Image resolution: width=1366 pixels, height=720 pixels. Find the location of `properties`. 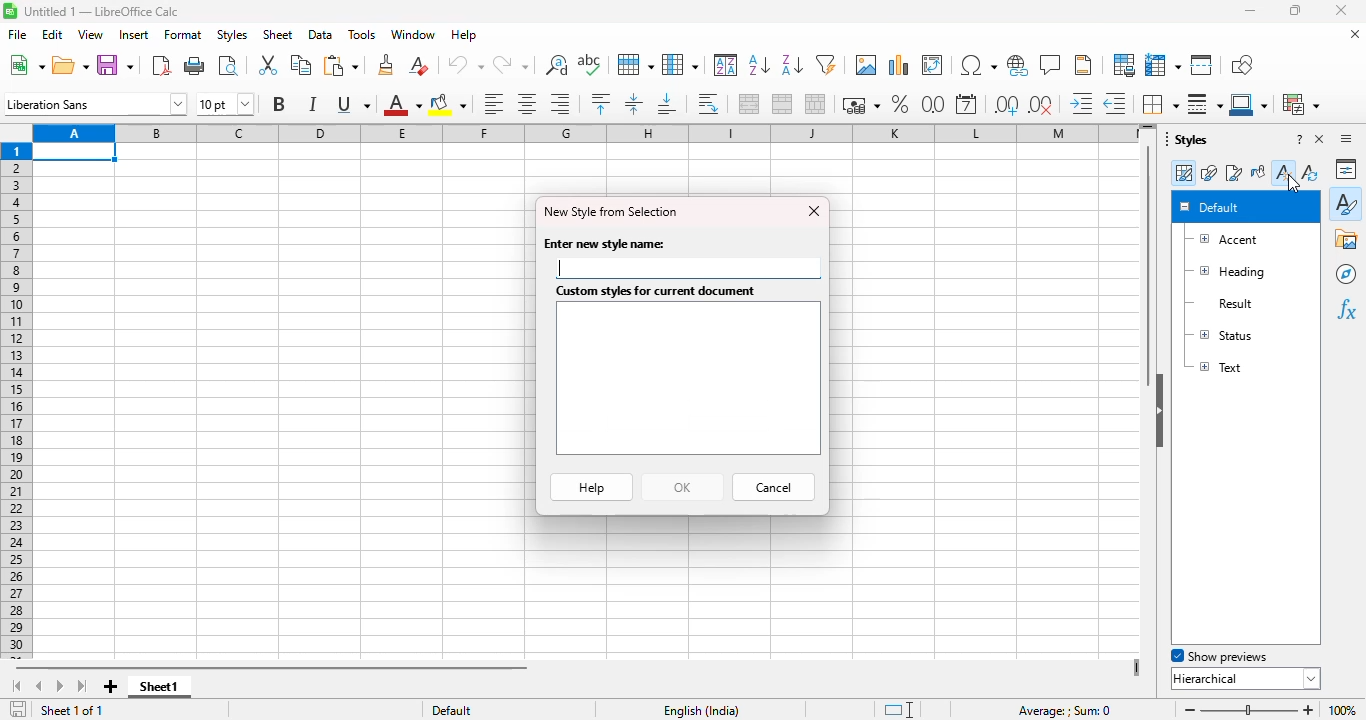

properties is located at coordinates (1347, 169).